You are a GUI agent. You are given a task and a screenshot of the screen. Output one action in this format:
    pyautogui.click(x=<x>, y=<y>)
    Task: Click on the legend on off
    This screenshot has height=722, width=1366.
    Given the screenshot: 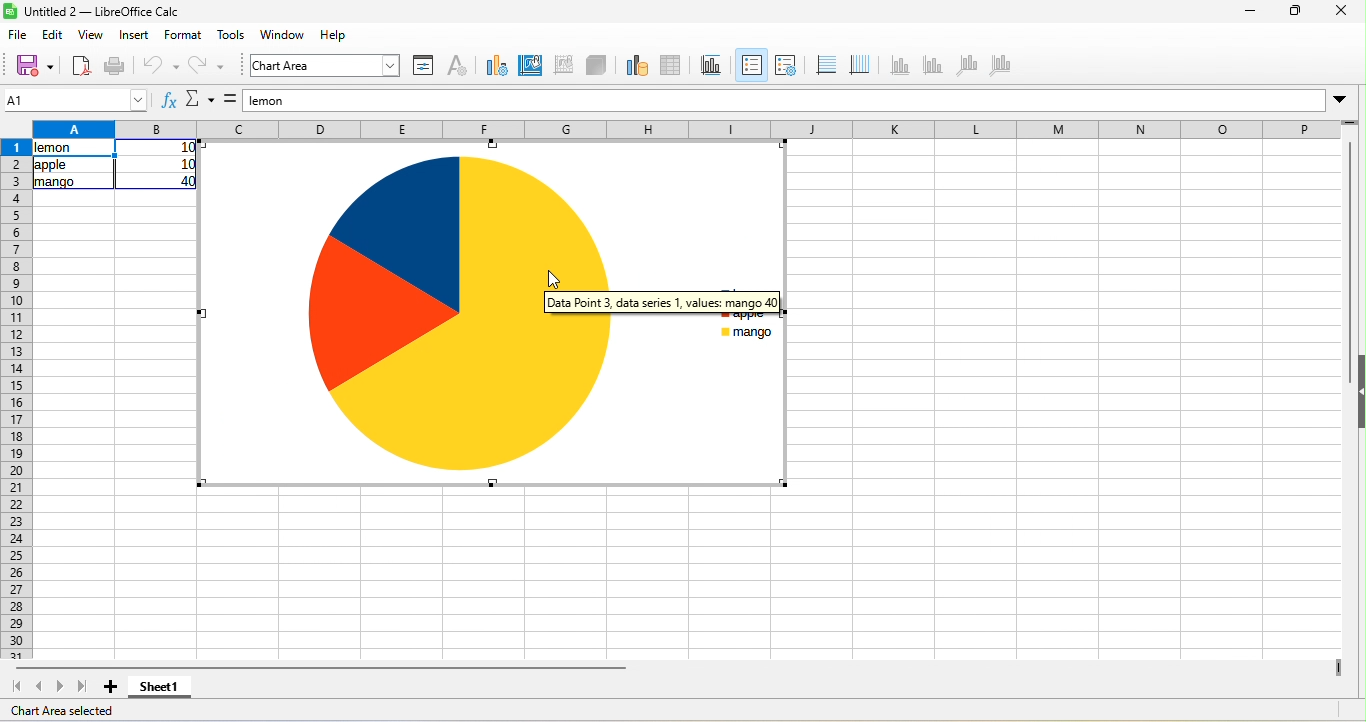 What is the action you would take?
    pyautogui.click(x=753, y=64)
    